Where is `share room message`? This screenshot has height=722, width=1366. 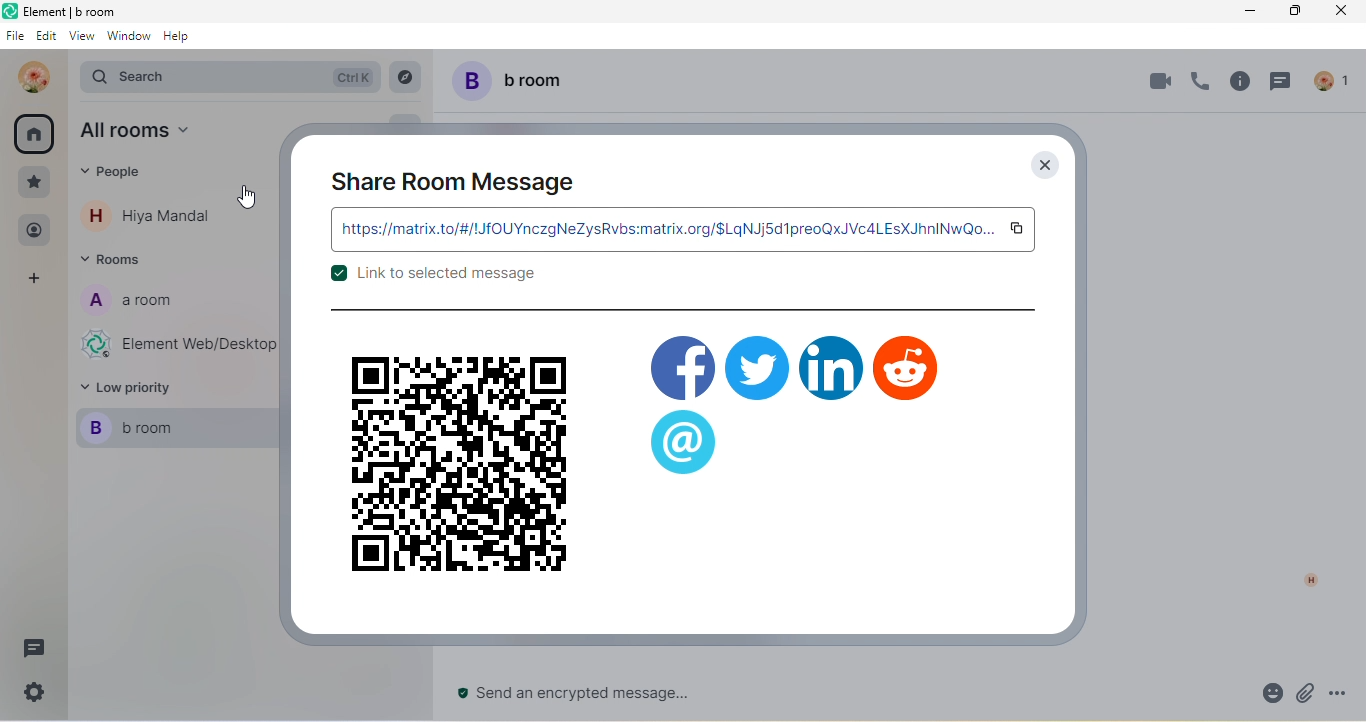
share room message is located at coordinates (455, 181).